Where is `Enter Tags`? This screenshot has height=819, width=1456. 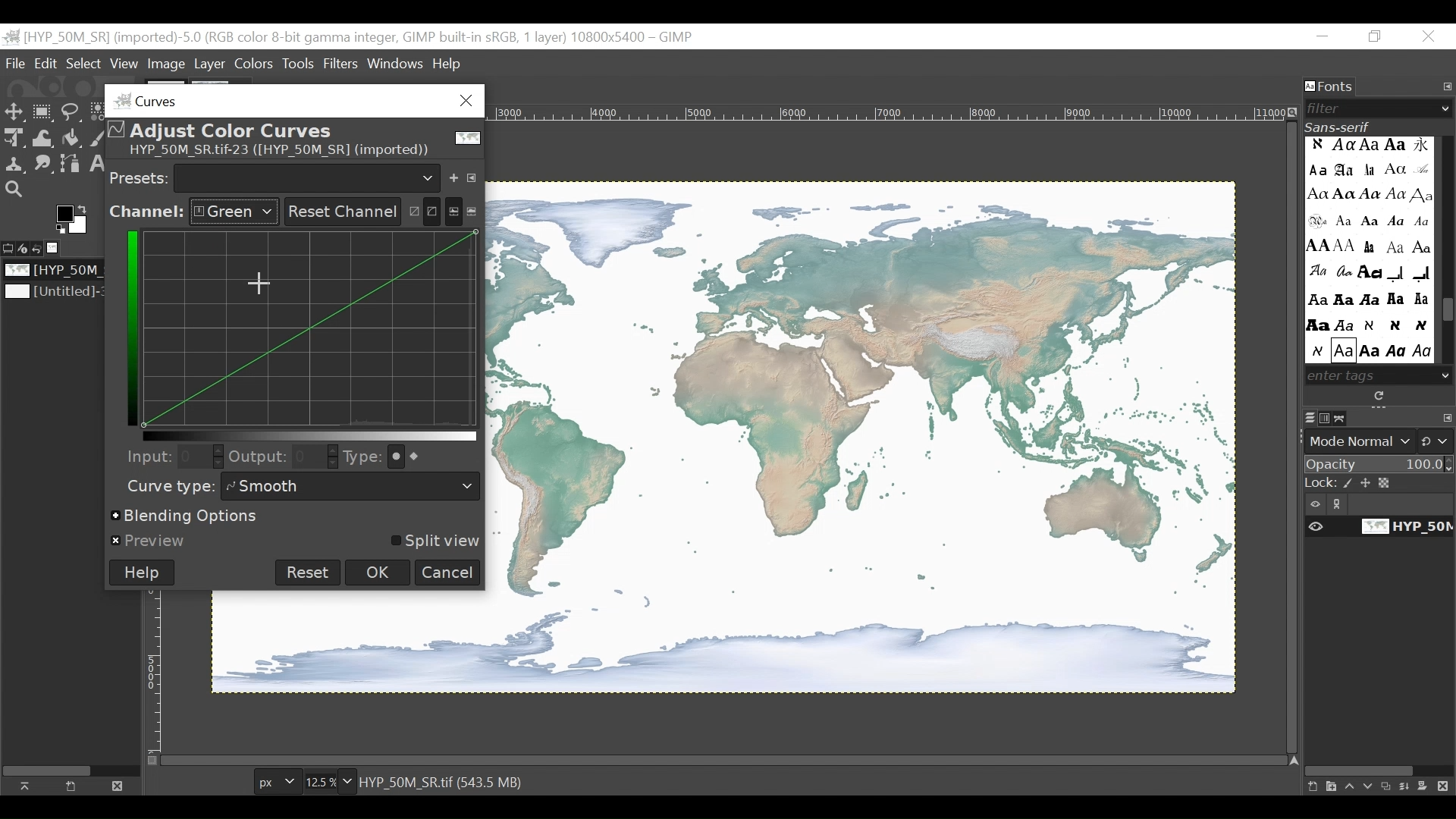
Enter Tags is located at coordinates (1368, 249).